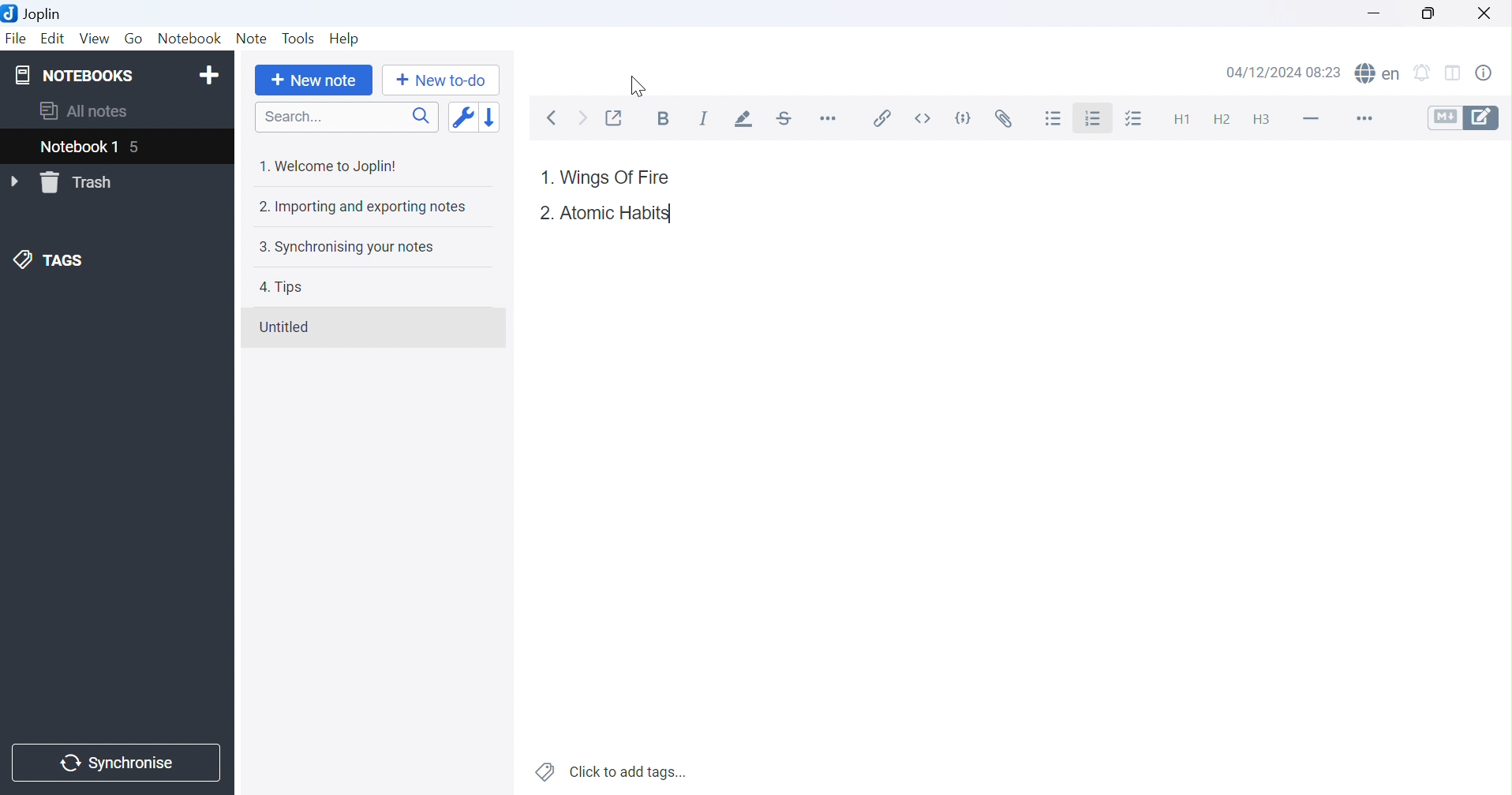 The width and height of the screenshot is (1512, 795). What do you see at coordinates (96, 38) in the screenshot?
I see `View` at bounding box center [96, 38].